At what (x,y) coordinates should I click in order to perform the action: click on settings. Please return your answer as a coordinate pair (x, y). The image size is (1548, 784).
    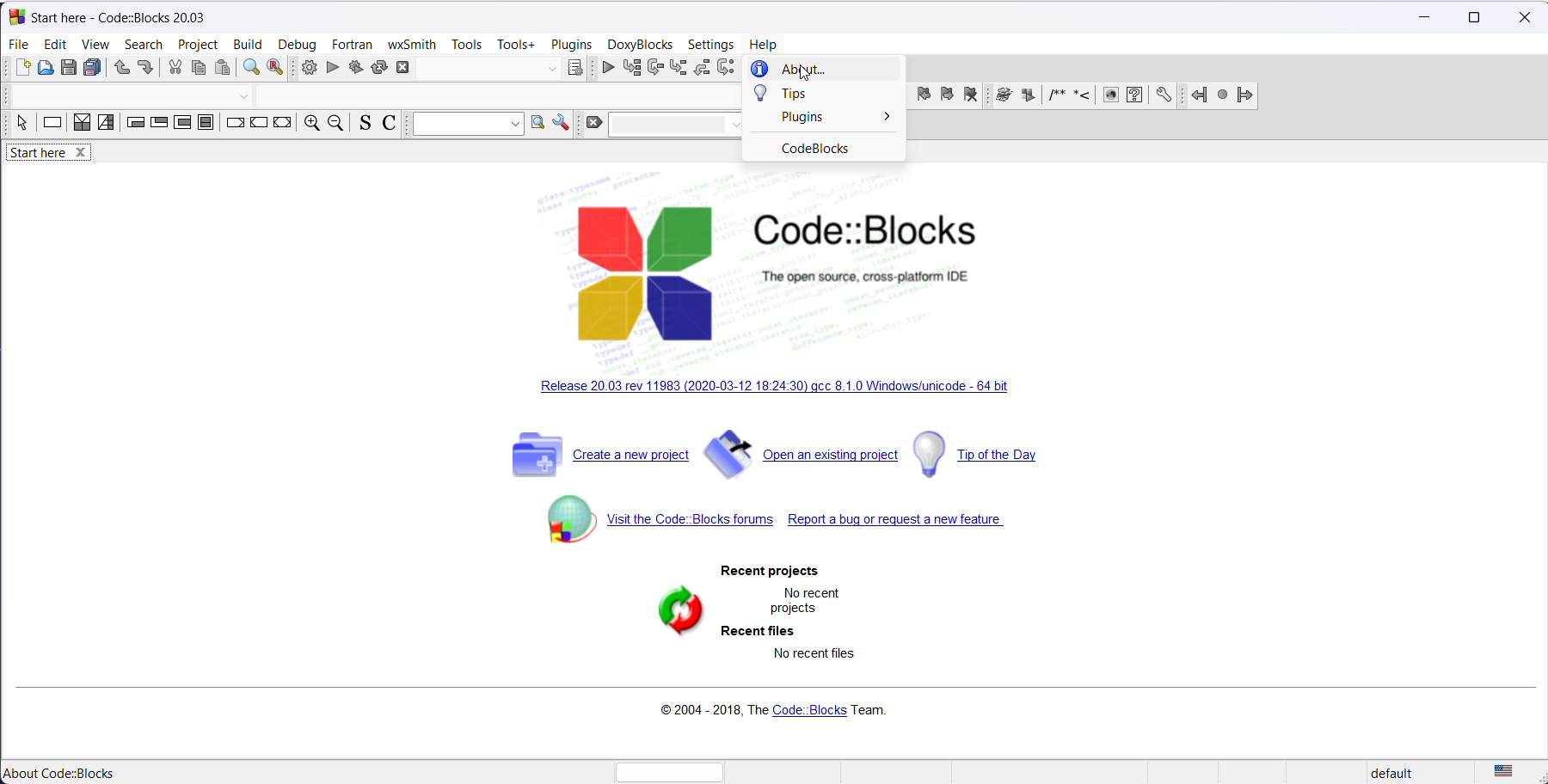
    Looking at the image, I should click on (710, 45).